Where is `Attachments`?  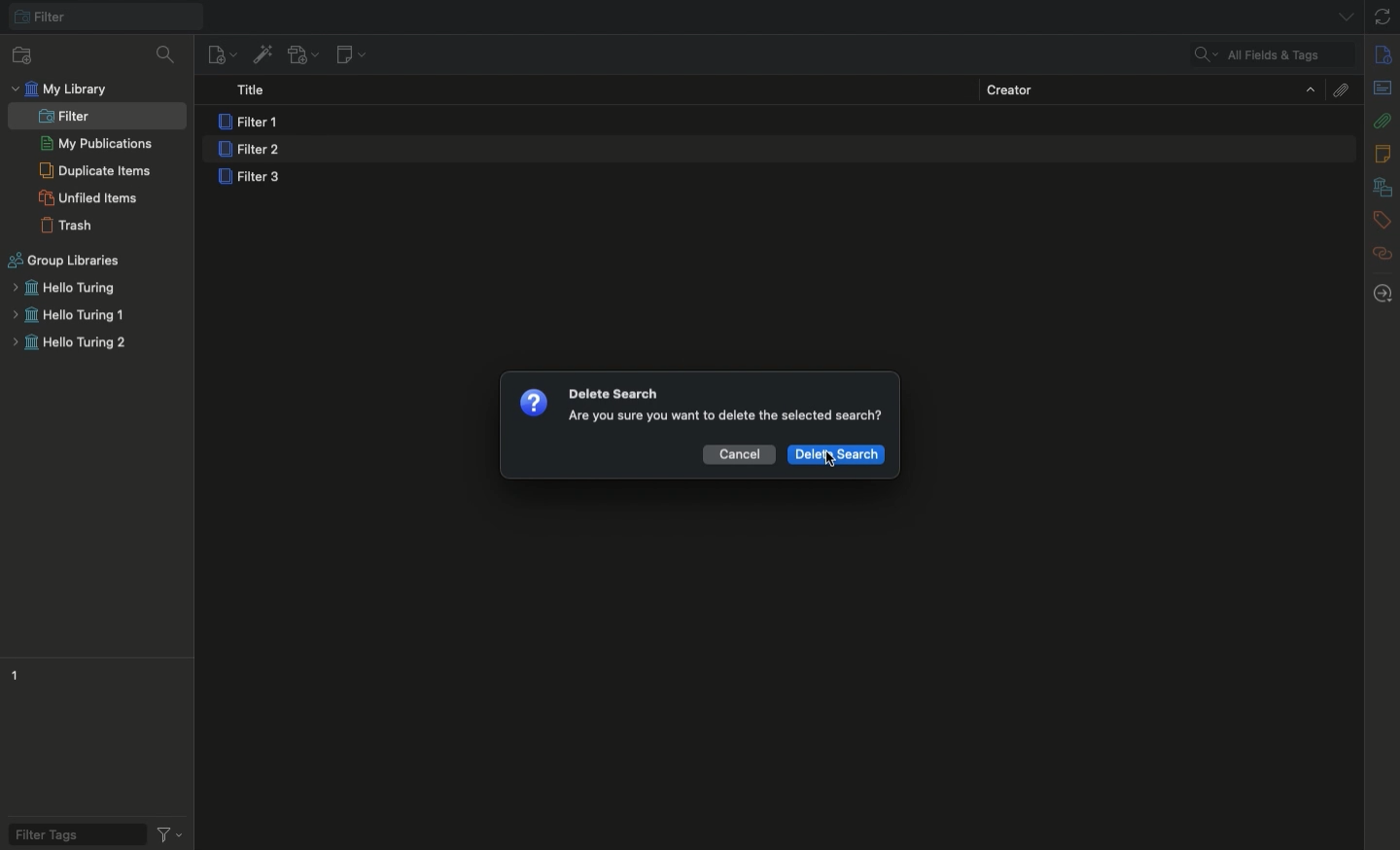 Attachments is located at coordinates (1339, 89).